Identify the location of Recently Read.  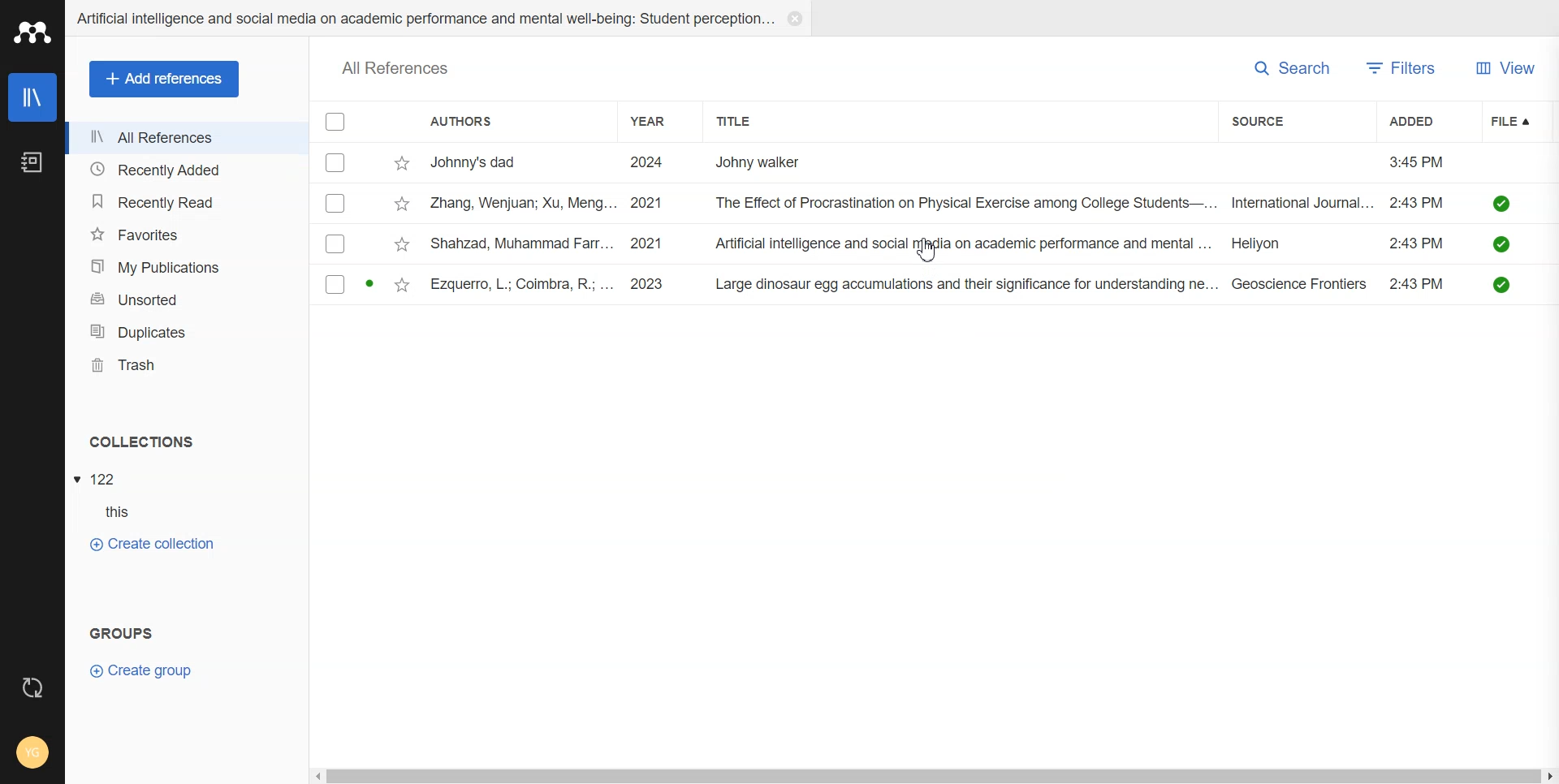
(185, 203).